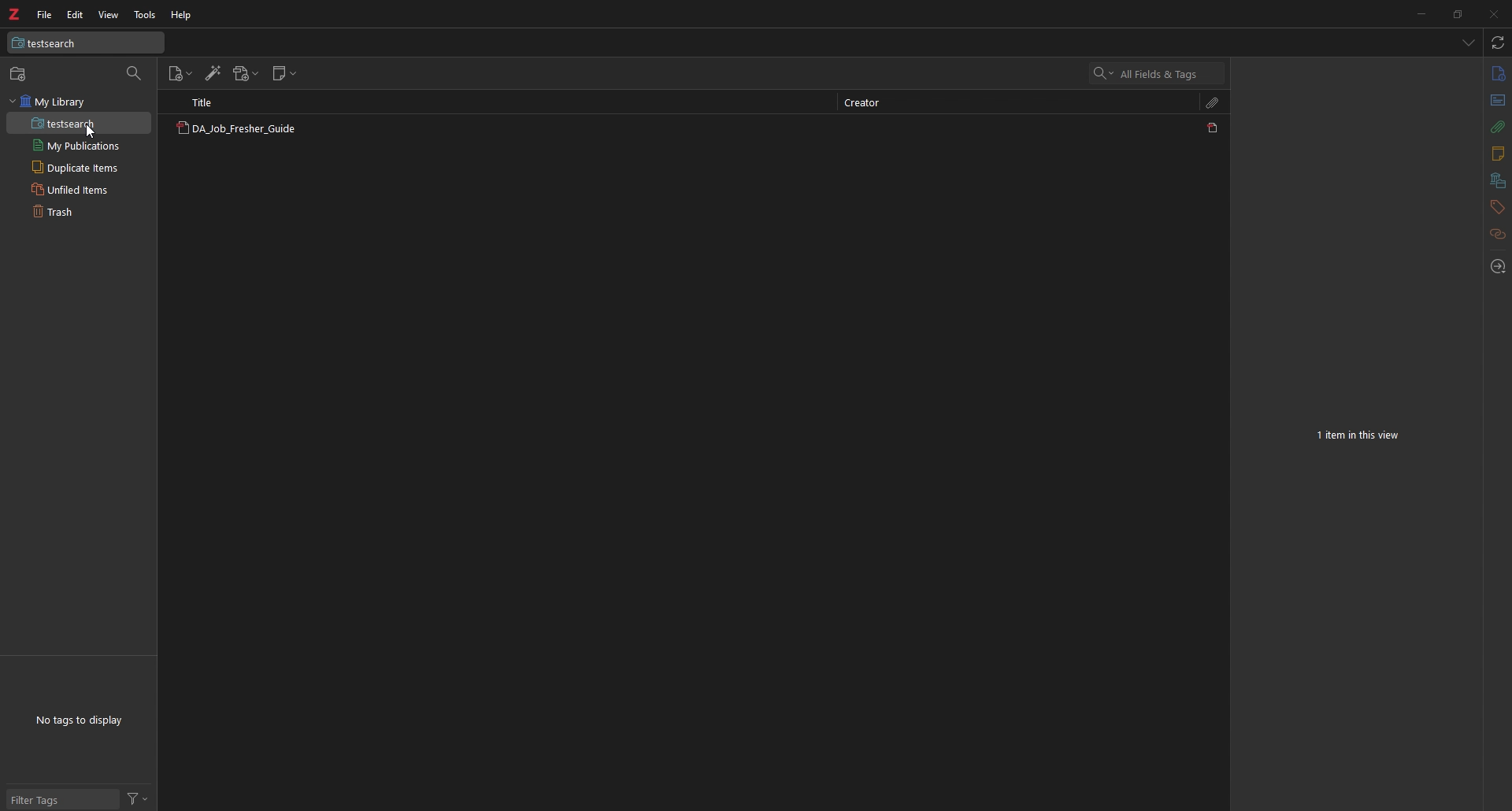 This screenshot has width=1512, height=811. What do you see at coordinates (13, 14) in the screenshot?
I see `zotero` at bounding box center [13, 14].